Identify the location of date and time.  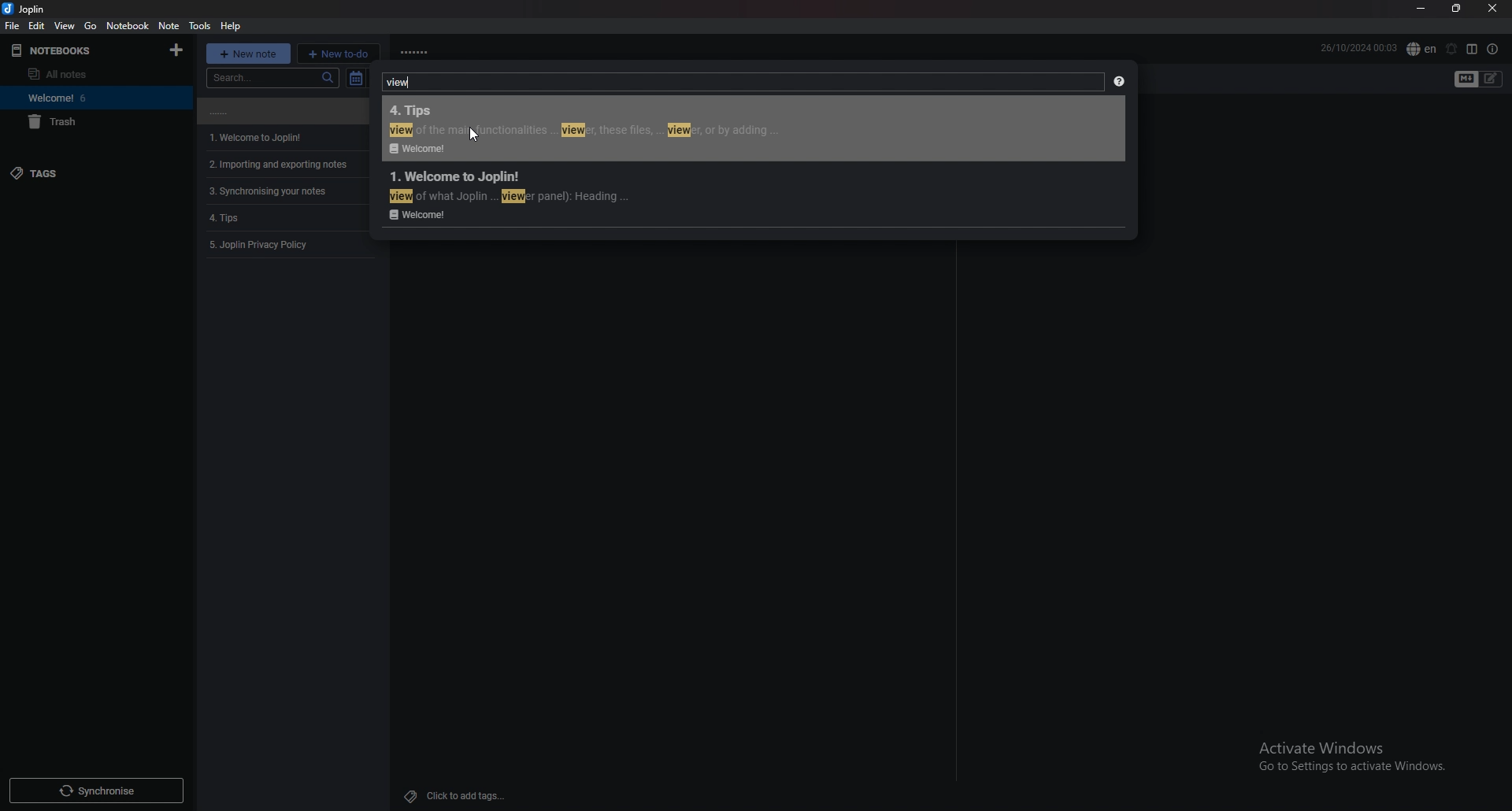
(1358, 48).